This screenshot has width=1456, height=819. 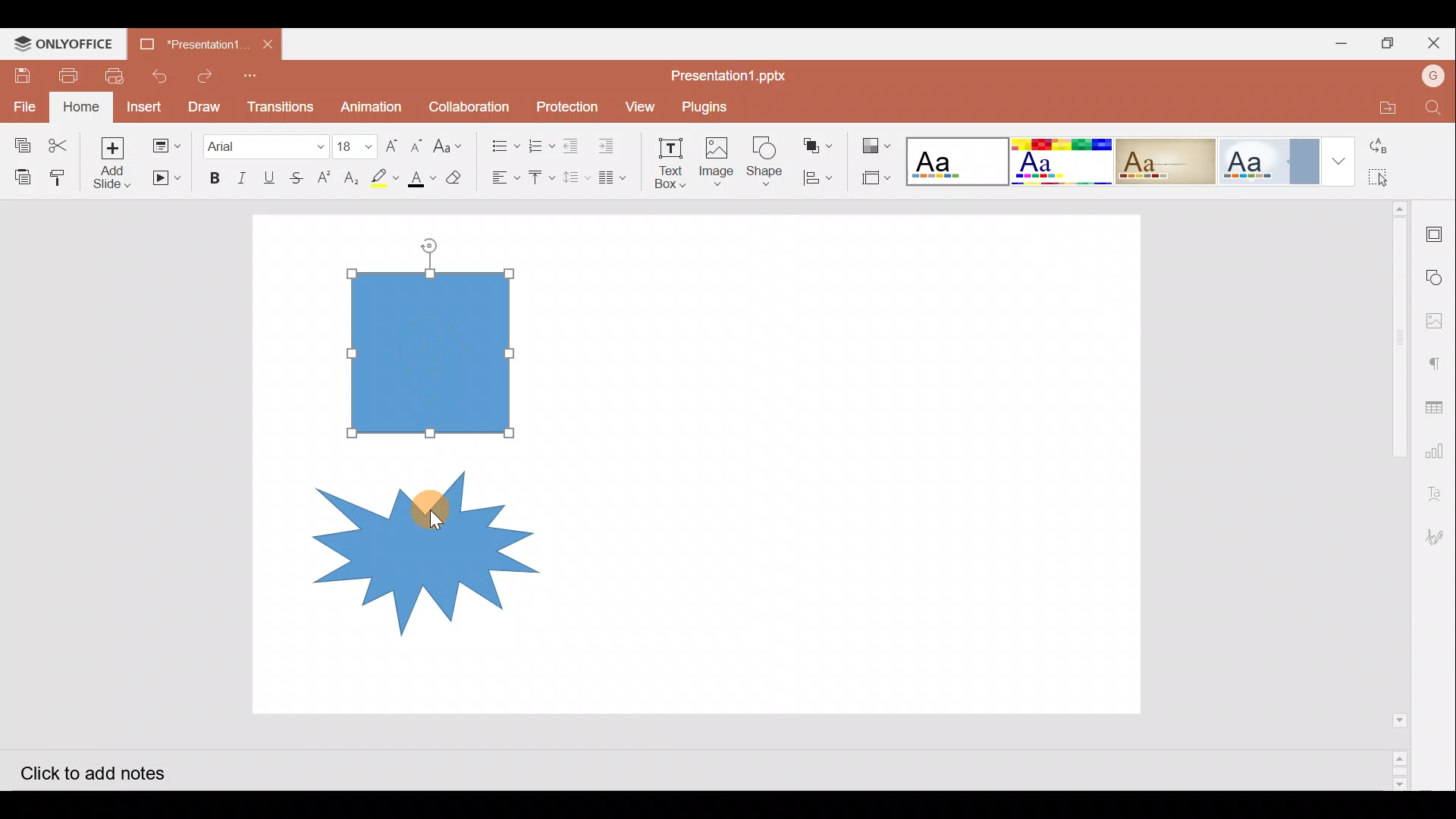 I want to click on Maximize, so click(x=1389, y=42).